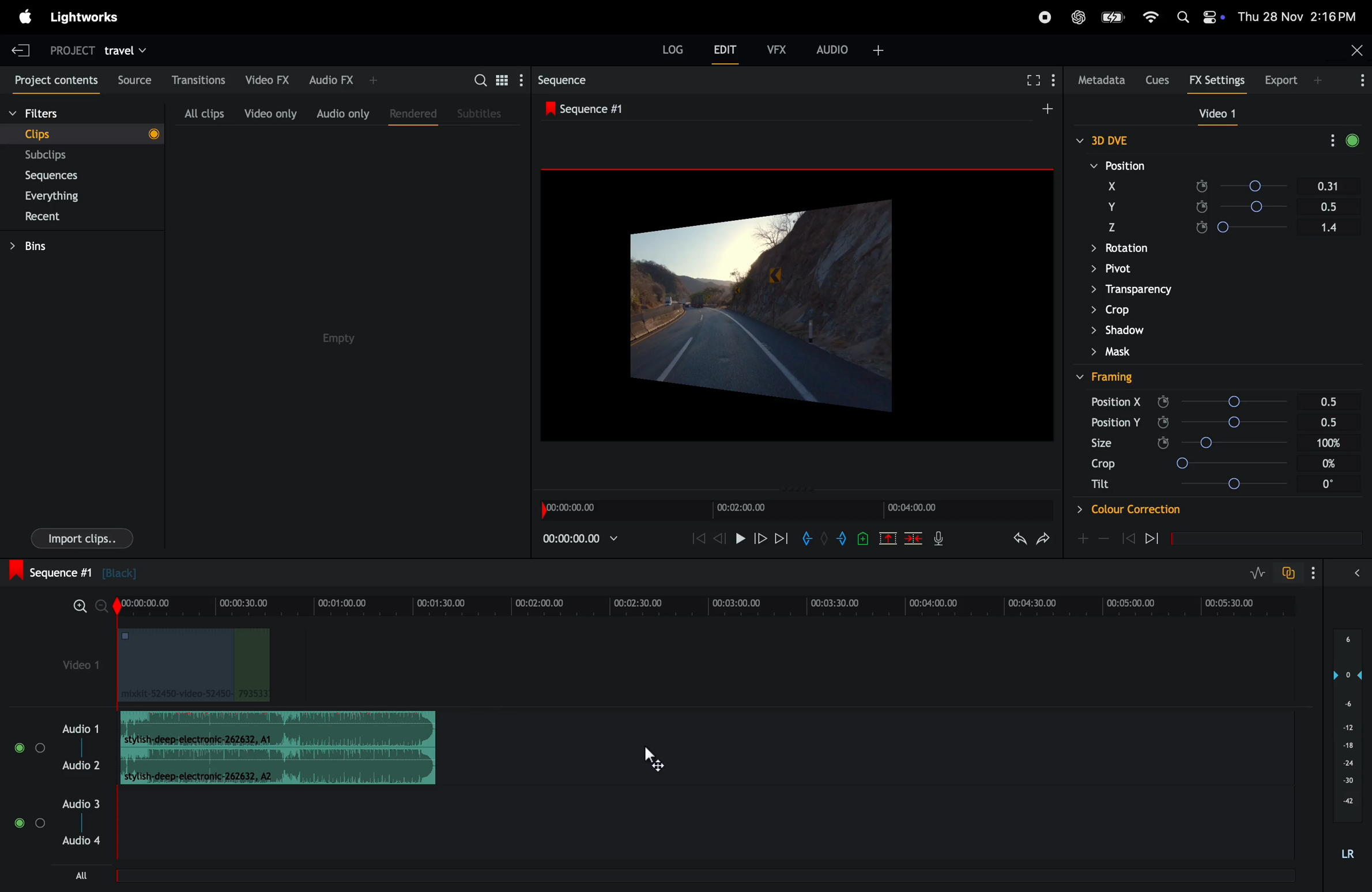  I want to click on source, so click(131, 80).